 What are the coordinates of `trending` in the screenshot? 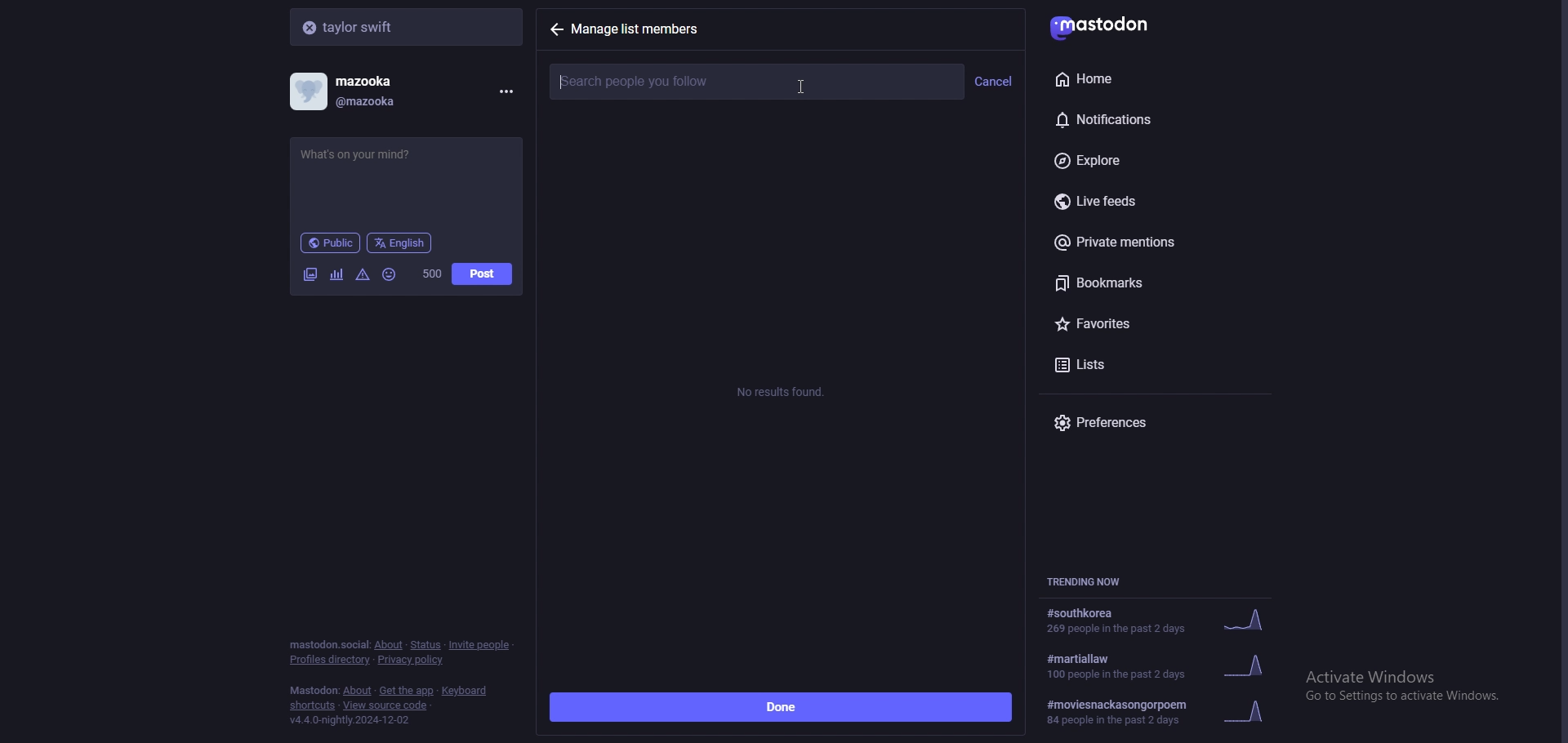 It's located at (1157, 621).